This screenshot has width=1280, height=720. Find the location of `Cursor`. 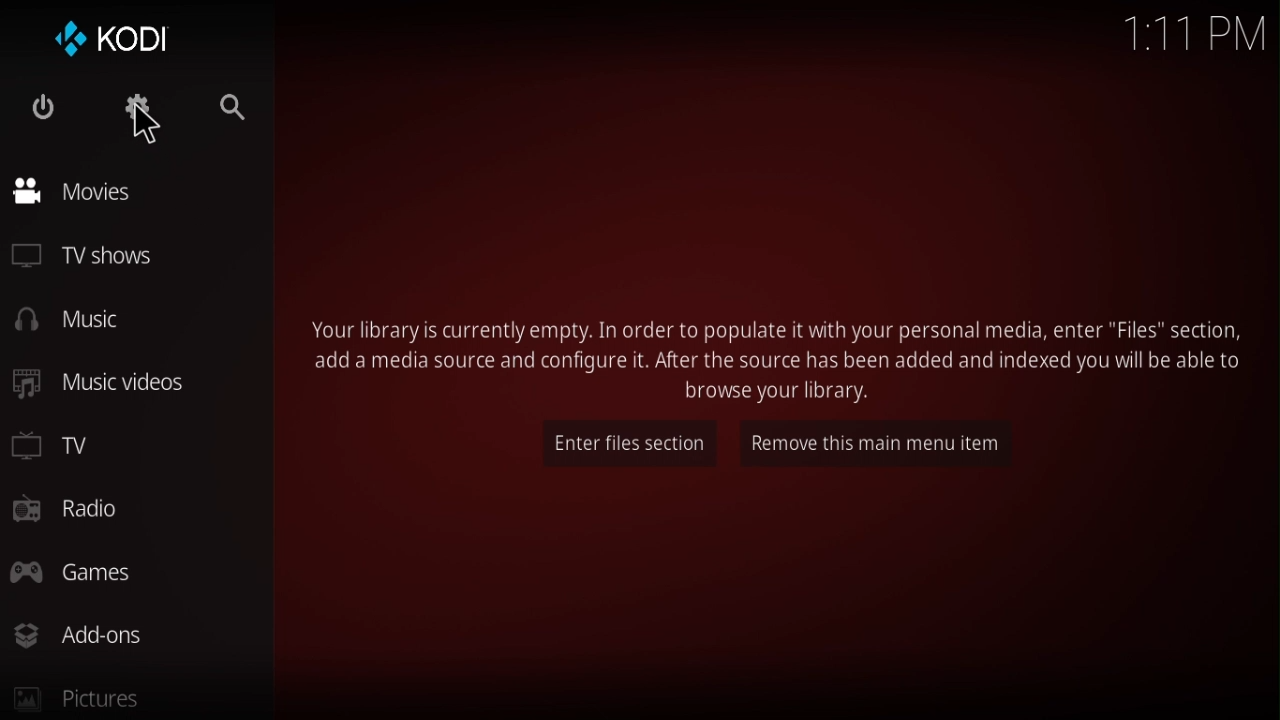

Cursor is located at coordinates (148, 124).